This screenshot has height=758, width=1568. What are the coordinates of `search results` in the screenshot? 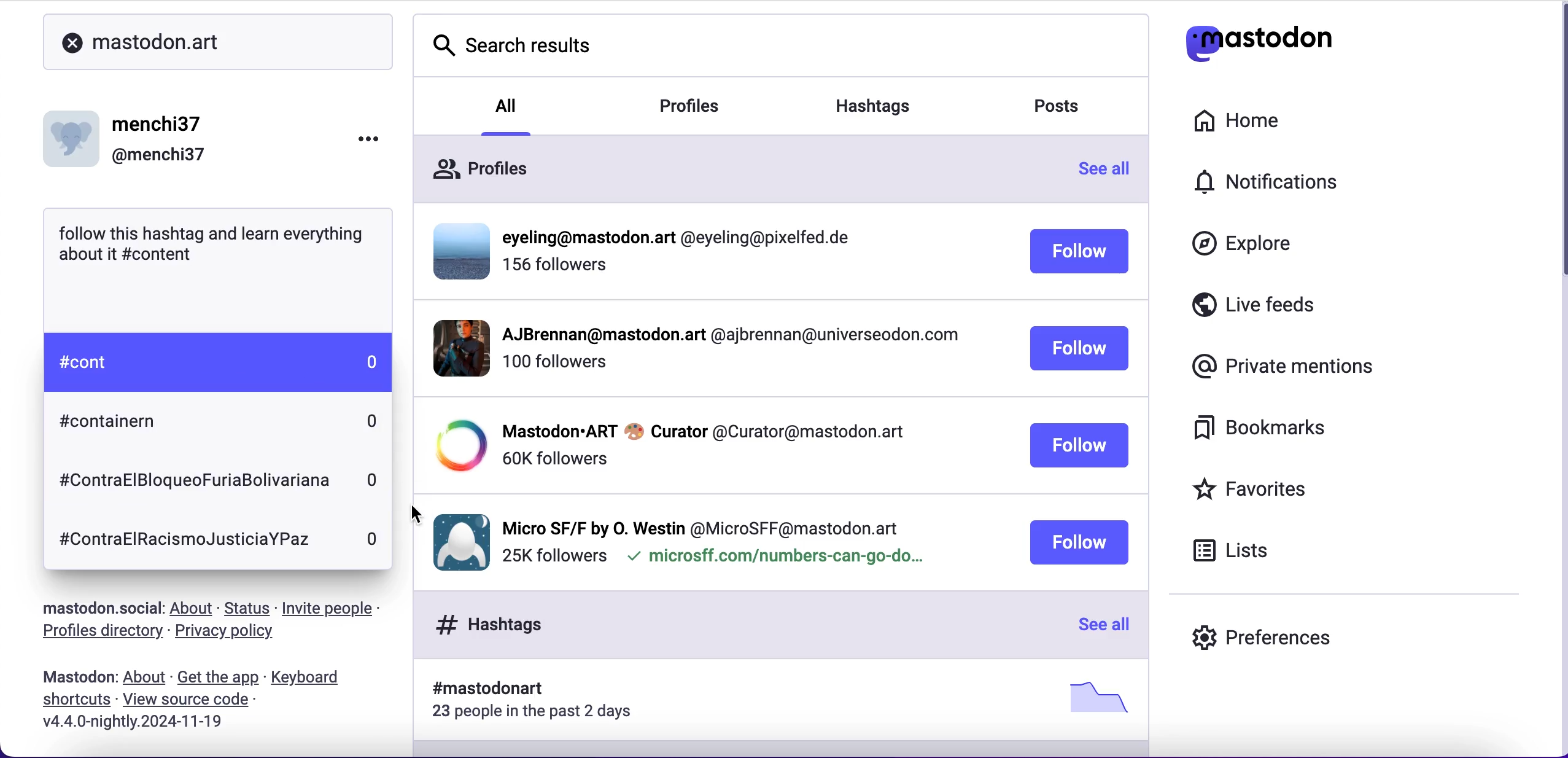 It's located at (518, 52).